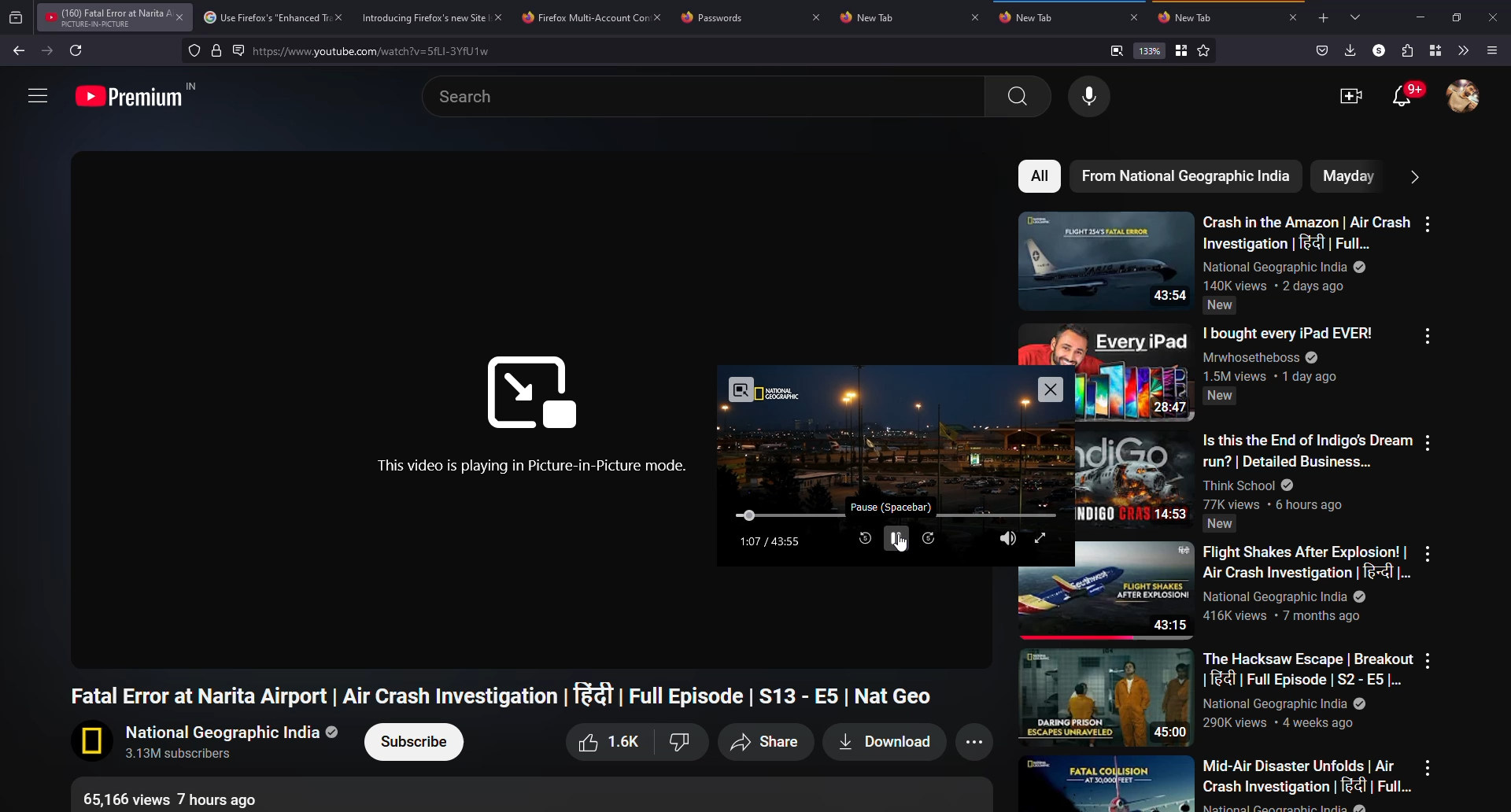 Image resolution: width=1511 pixels, height=812 pixels. What do you see at coordinates (1432, 50) in the screenshot?
I see `container` at bounding box center [1432, 50].